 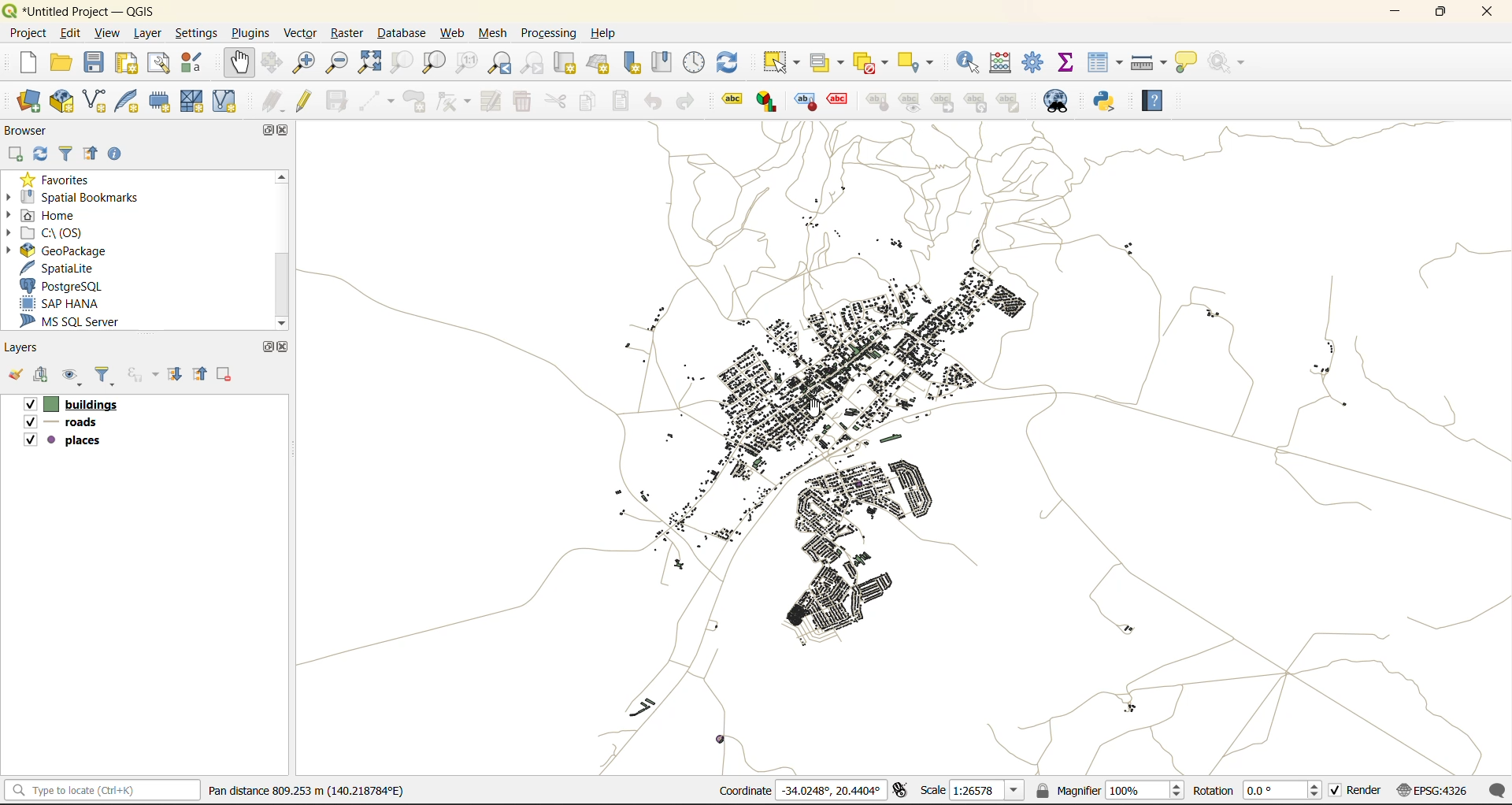 What do you see at coordinates (40, 154) in the screenshot?
I see `refresh` at bounding box center [40, 154].